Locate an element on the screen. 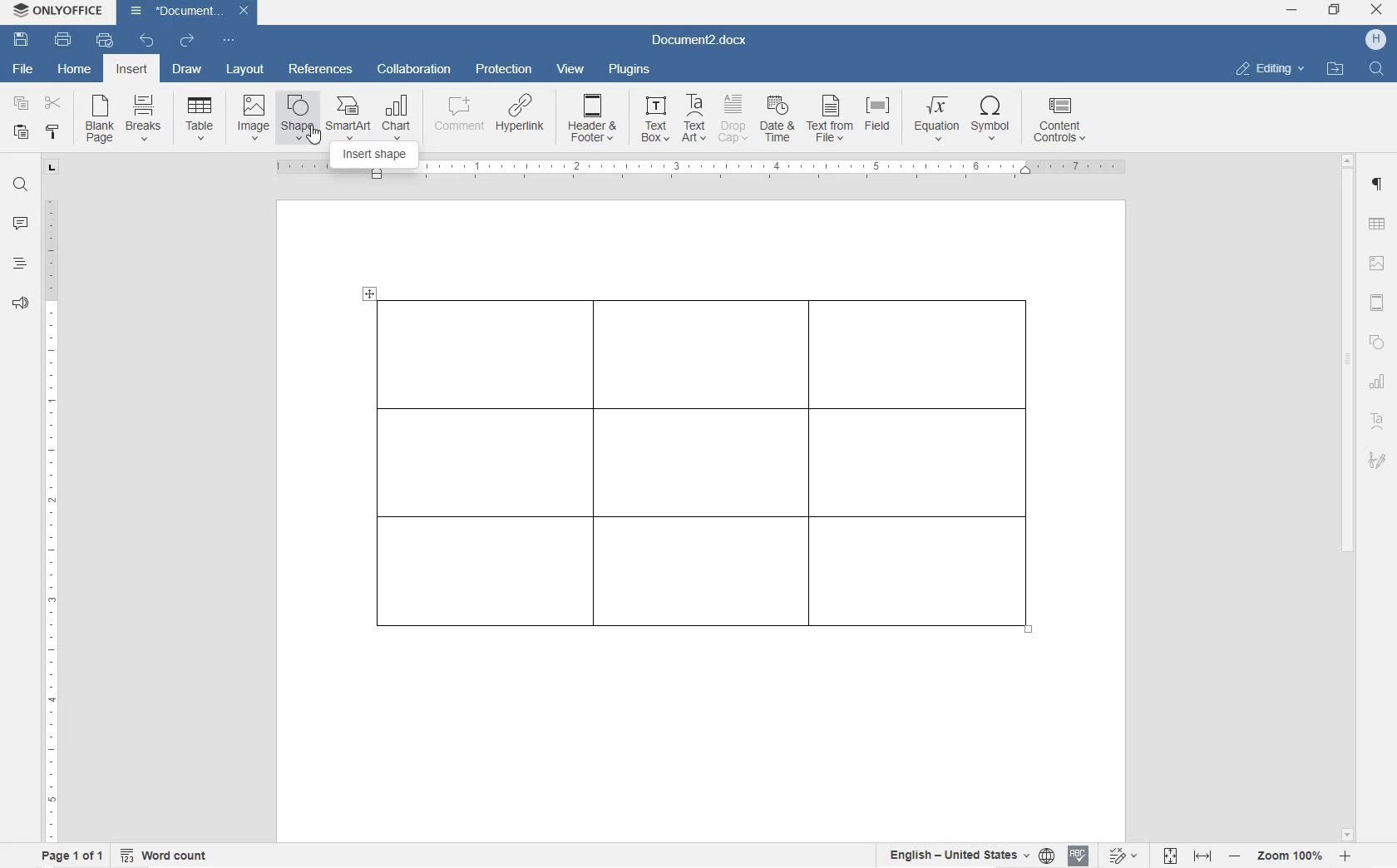 This screenshot has height=868, width=1397. CONTENT CONTROLS is located at coordinates (1057, 122).